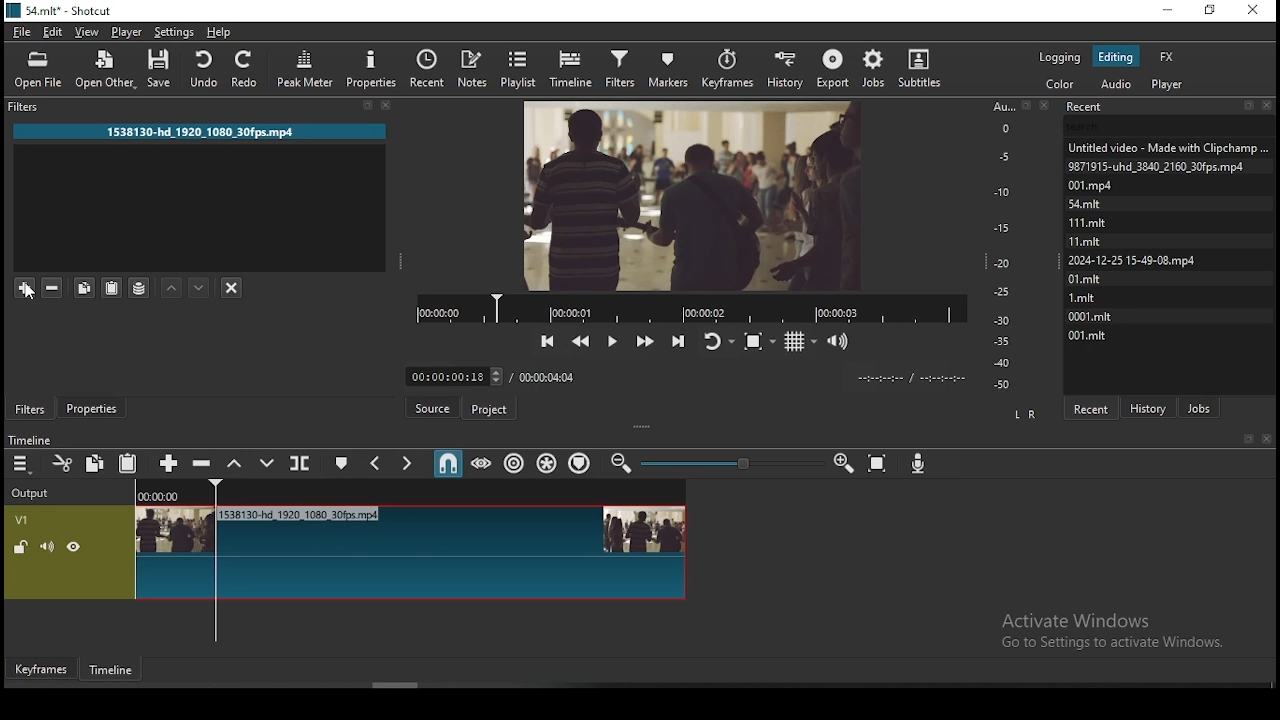  I want to click on 0001.mit, so click(1094, 315).